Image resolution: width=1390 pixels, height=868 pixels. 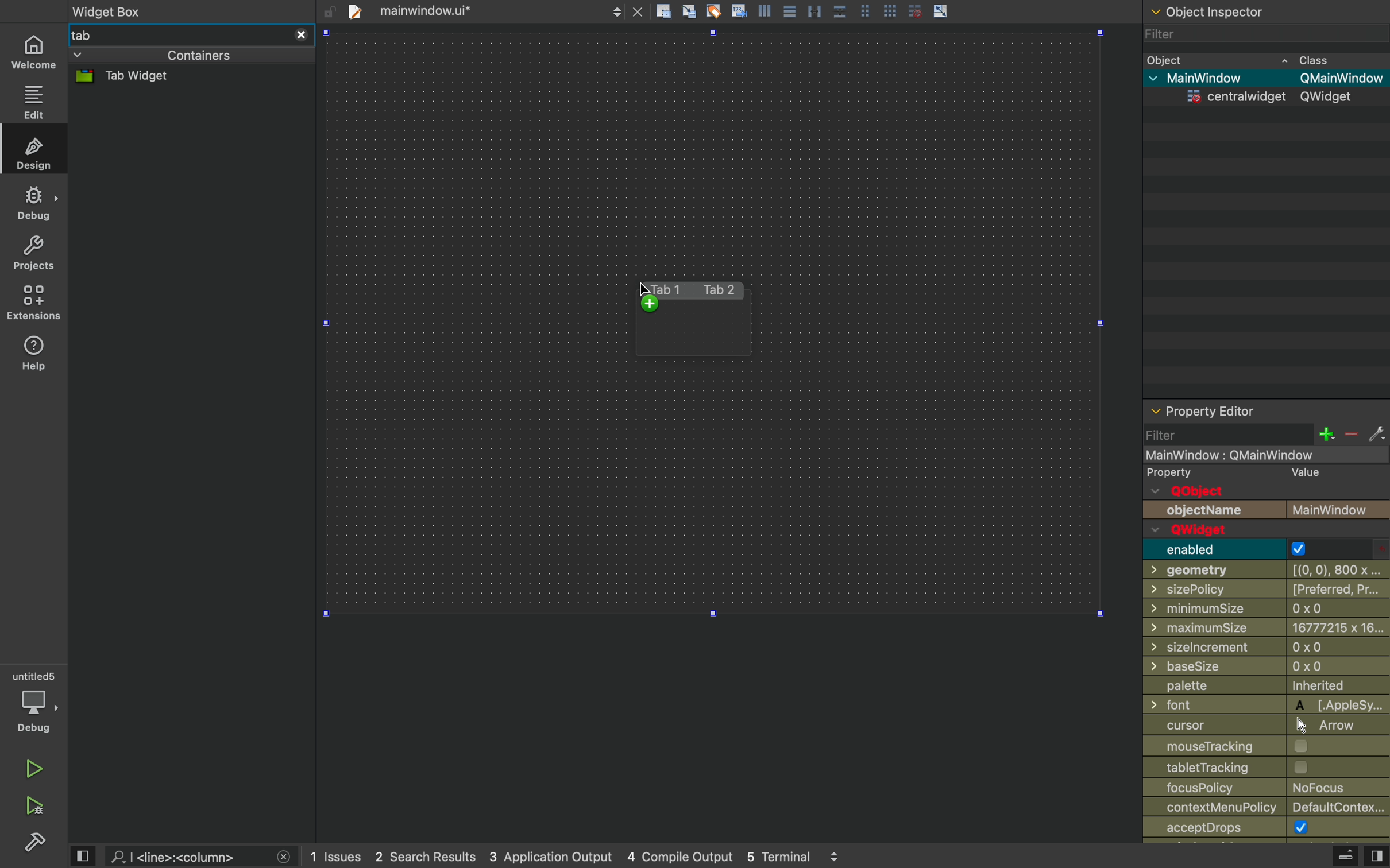 I want to click on geometry, so click(x=1264, y=571).